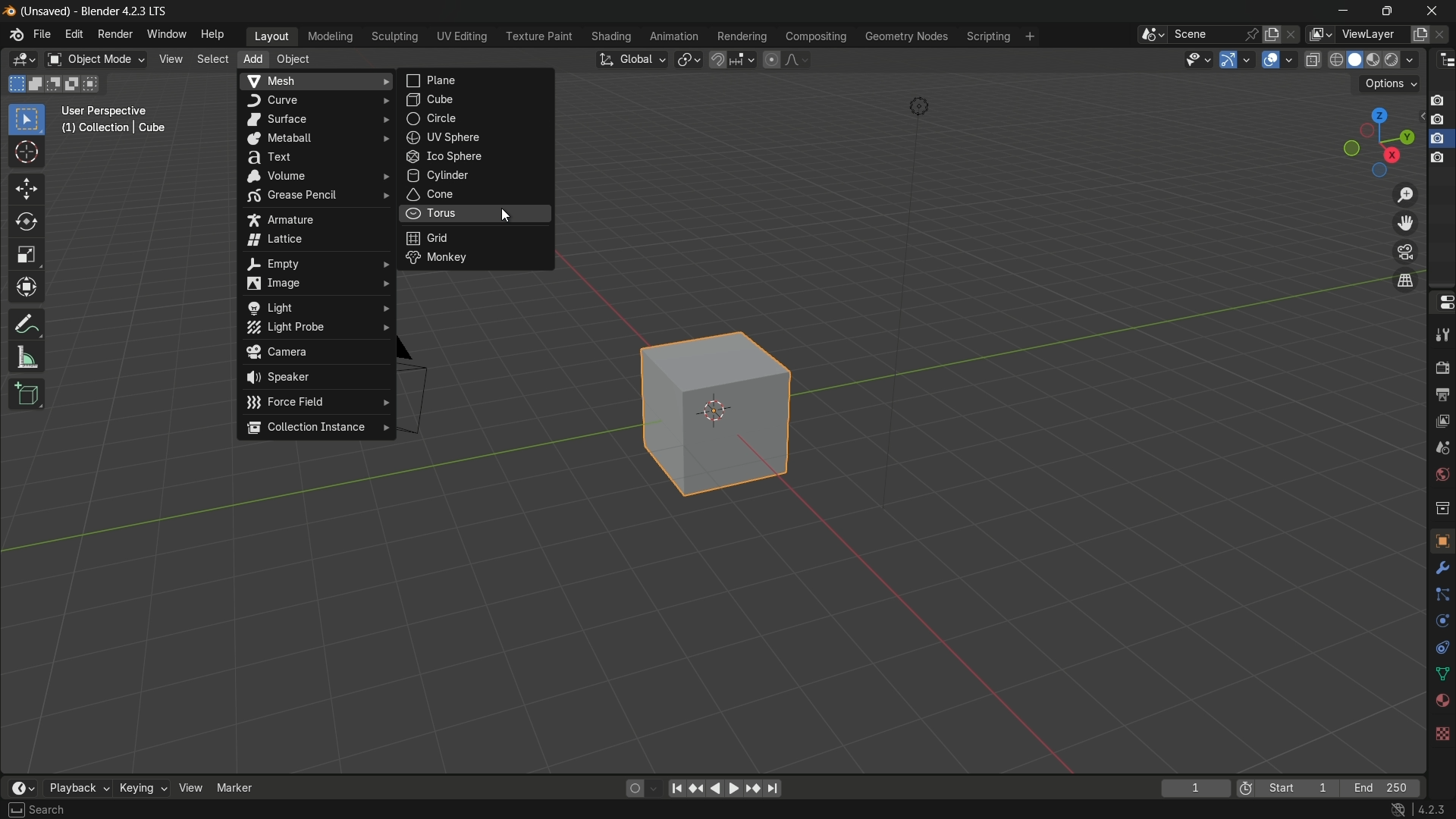 Image resolution: width=1456 pixels, height=819 pixels. What do you see at coordinates (293, 59) in the screenshot?
I see `object` at bounding box center [293, 59].